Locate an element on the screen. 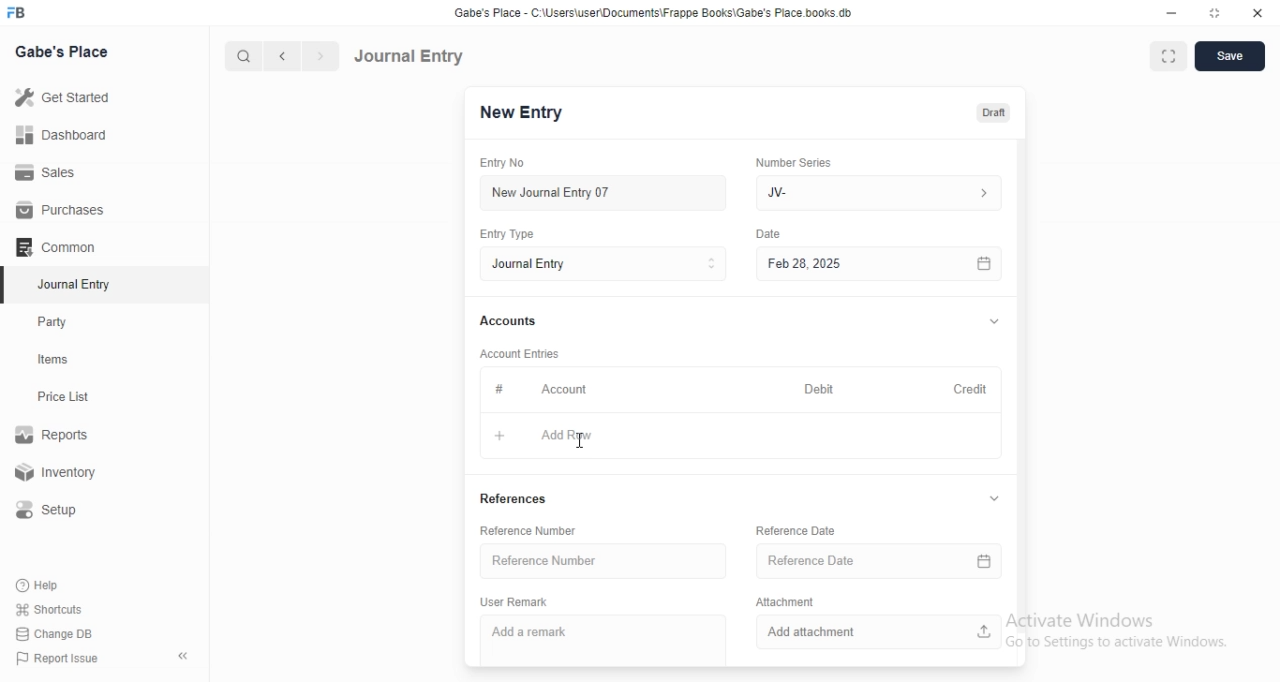 This screenshot has width=1280, height=682. Date is located at coordinates (770, 233).